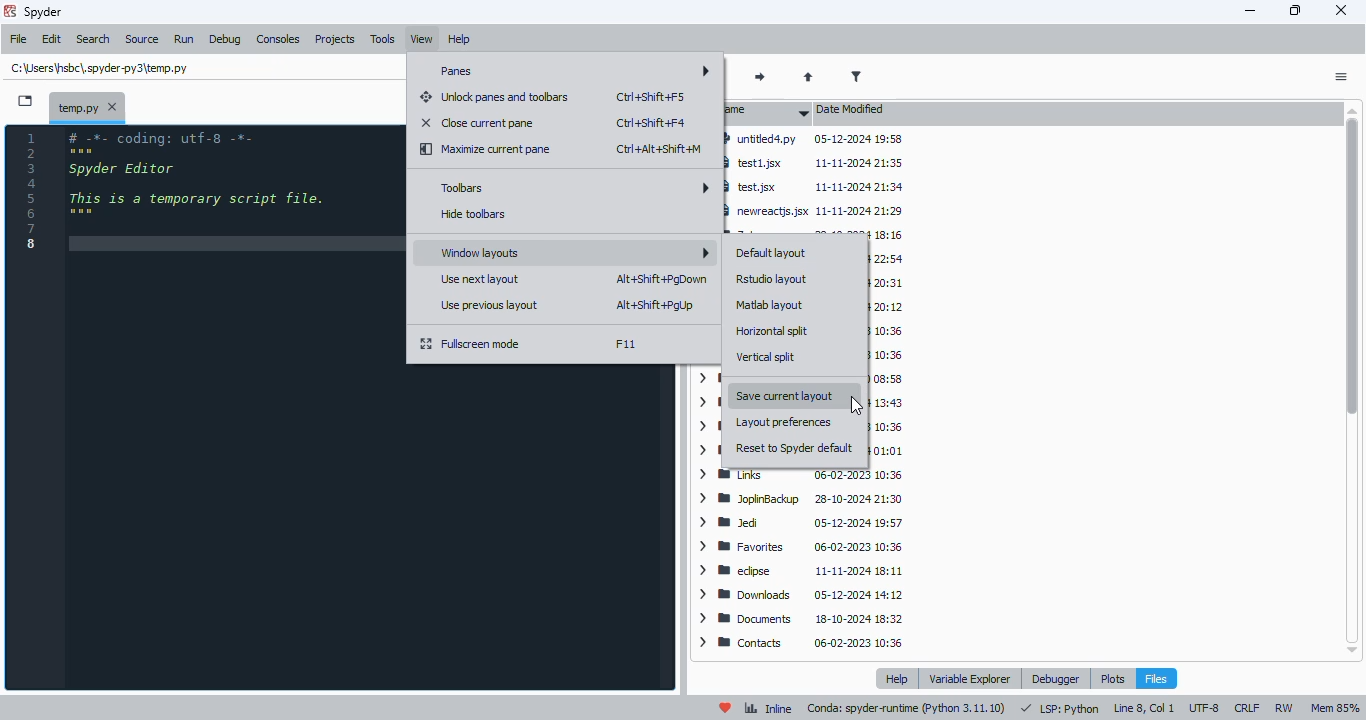  I want to click on shortcut for unlock panes and toolbars, so click(652, 96).